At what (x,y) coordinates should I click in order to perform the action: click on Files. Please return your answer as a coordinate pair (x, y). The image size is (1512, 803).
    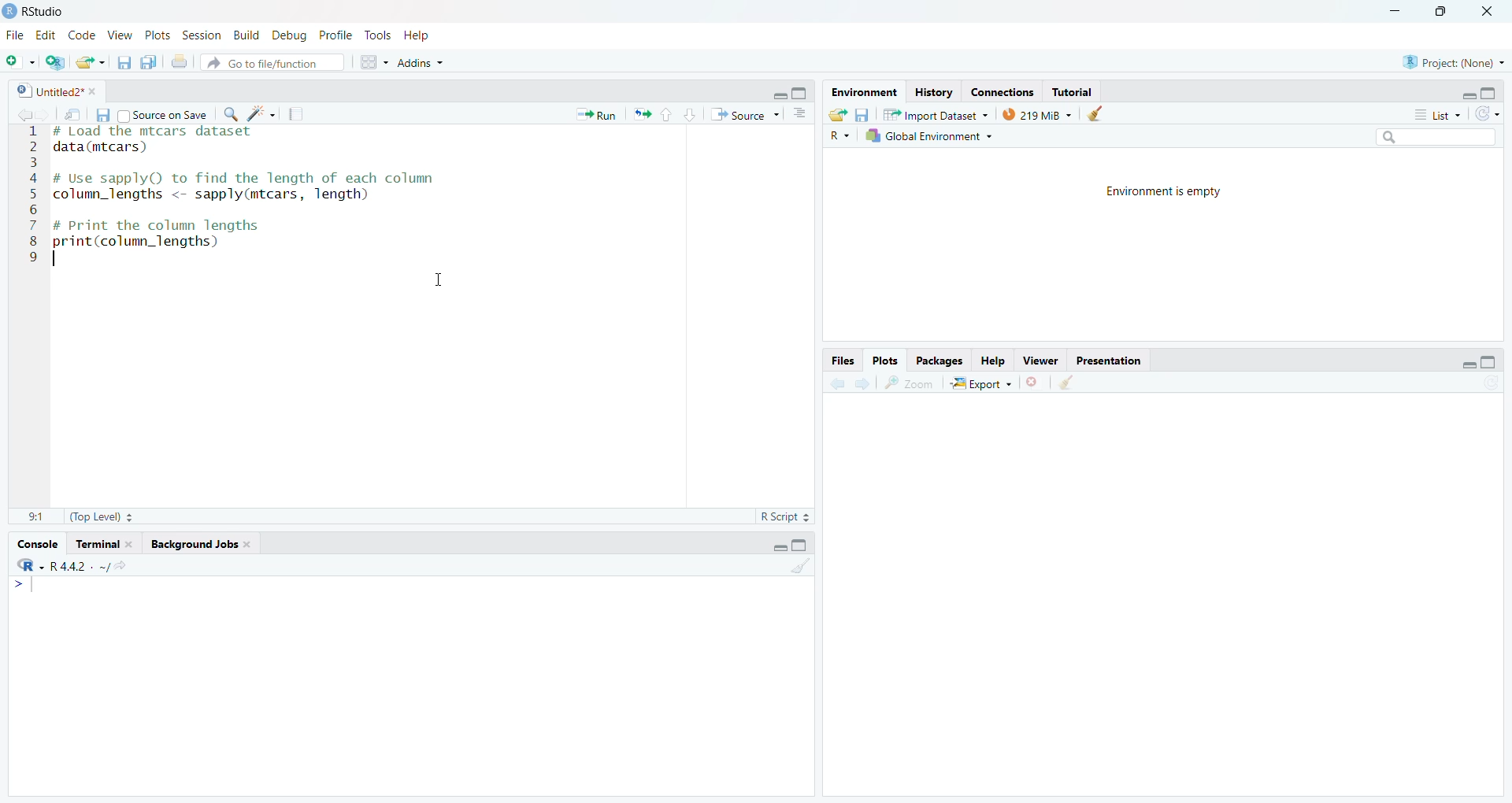
    Looking at the image, I should click on (843, 361).